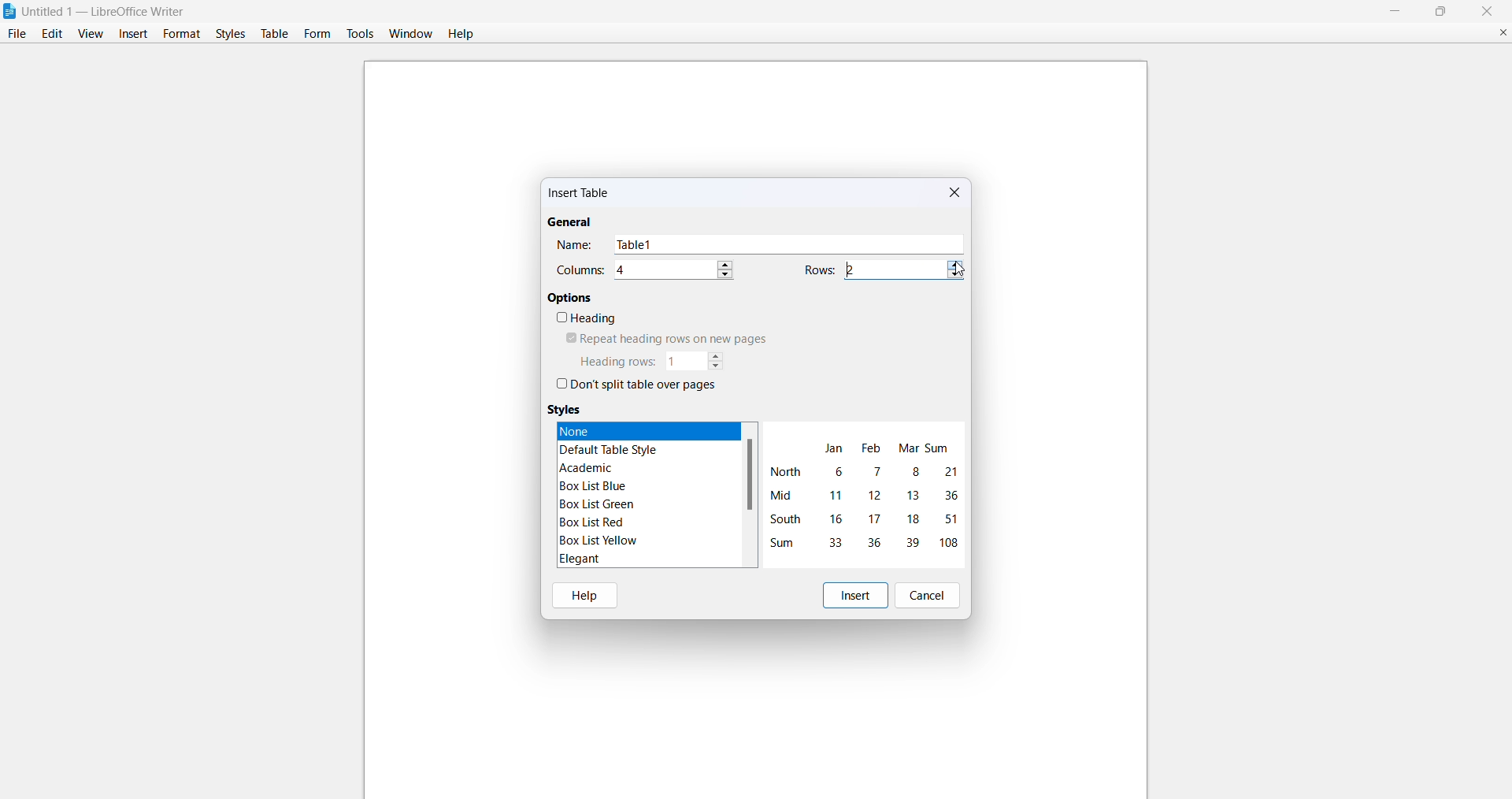  Describe the element at coordinates (596, 541) in the screenshot. I see `box list yellow` at that location.